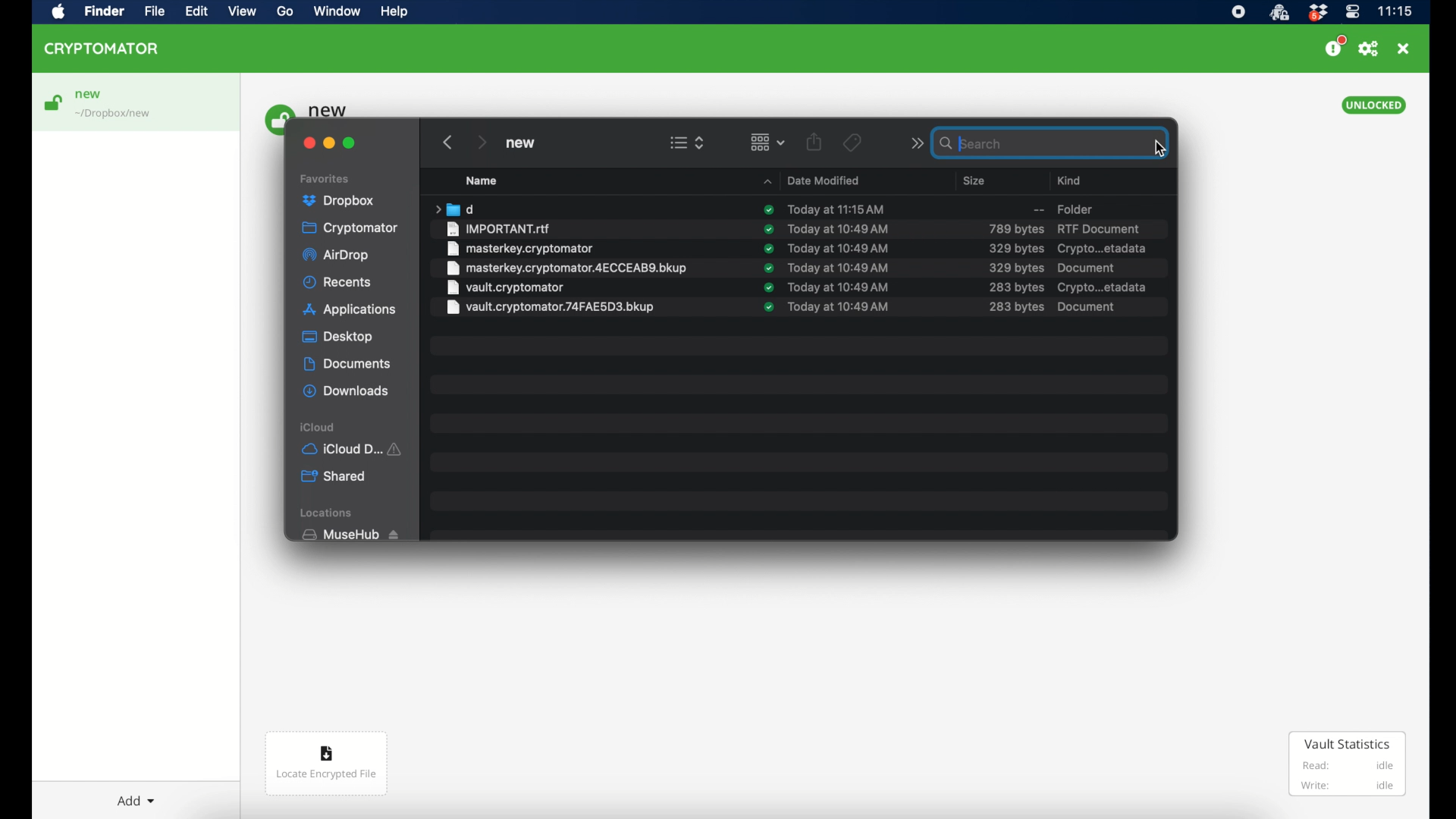 The width and height of the screenshot is (1456, 819). I want to click on crypto, so click(1103, 287).